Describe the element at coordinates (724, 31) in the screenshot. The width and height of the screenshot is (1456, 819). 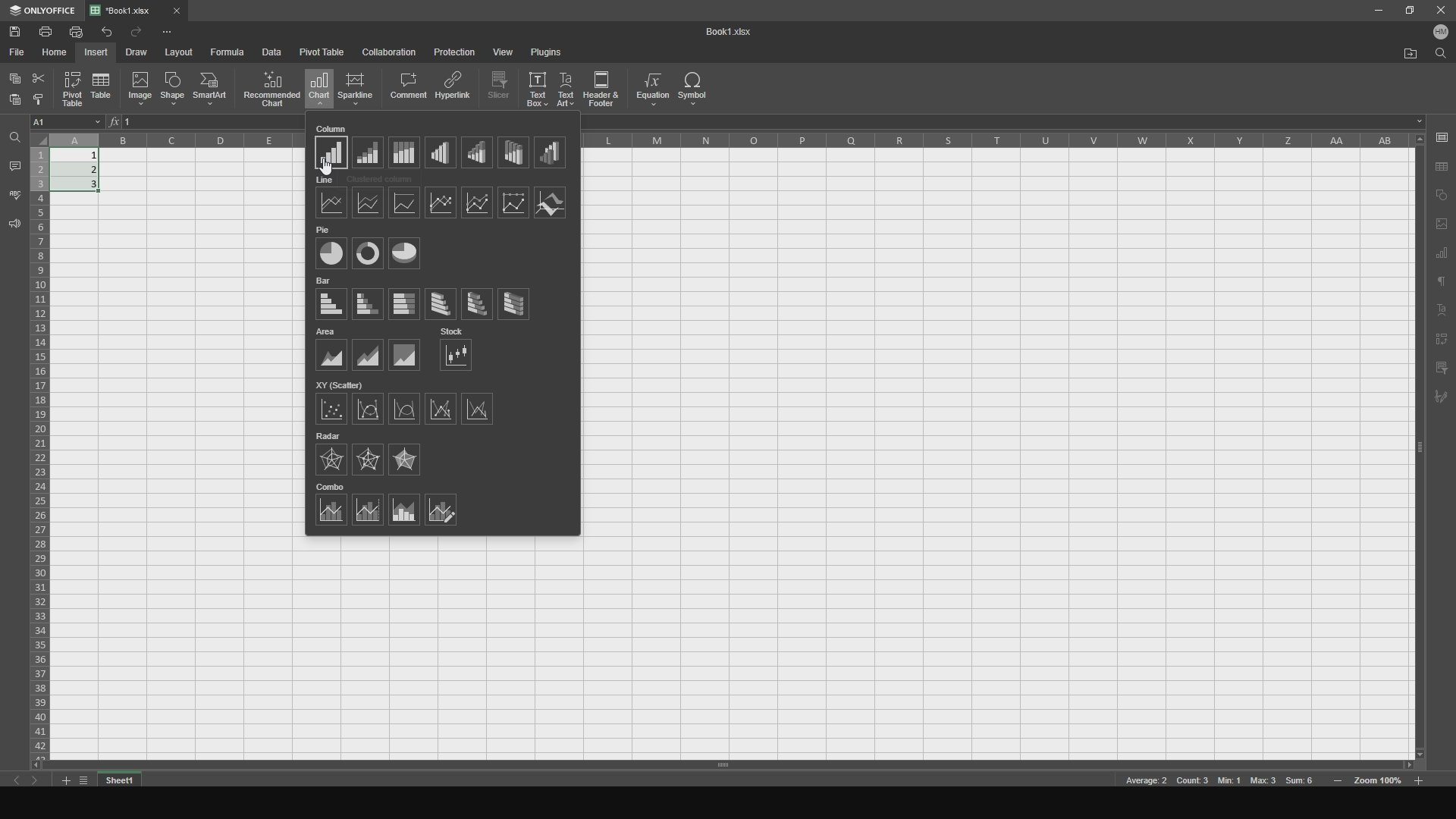
I see `title name` at that location.